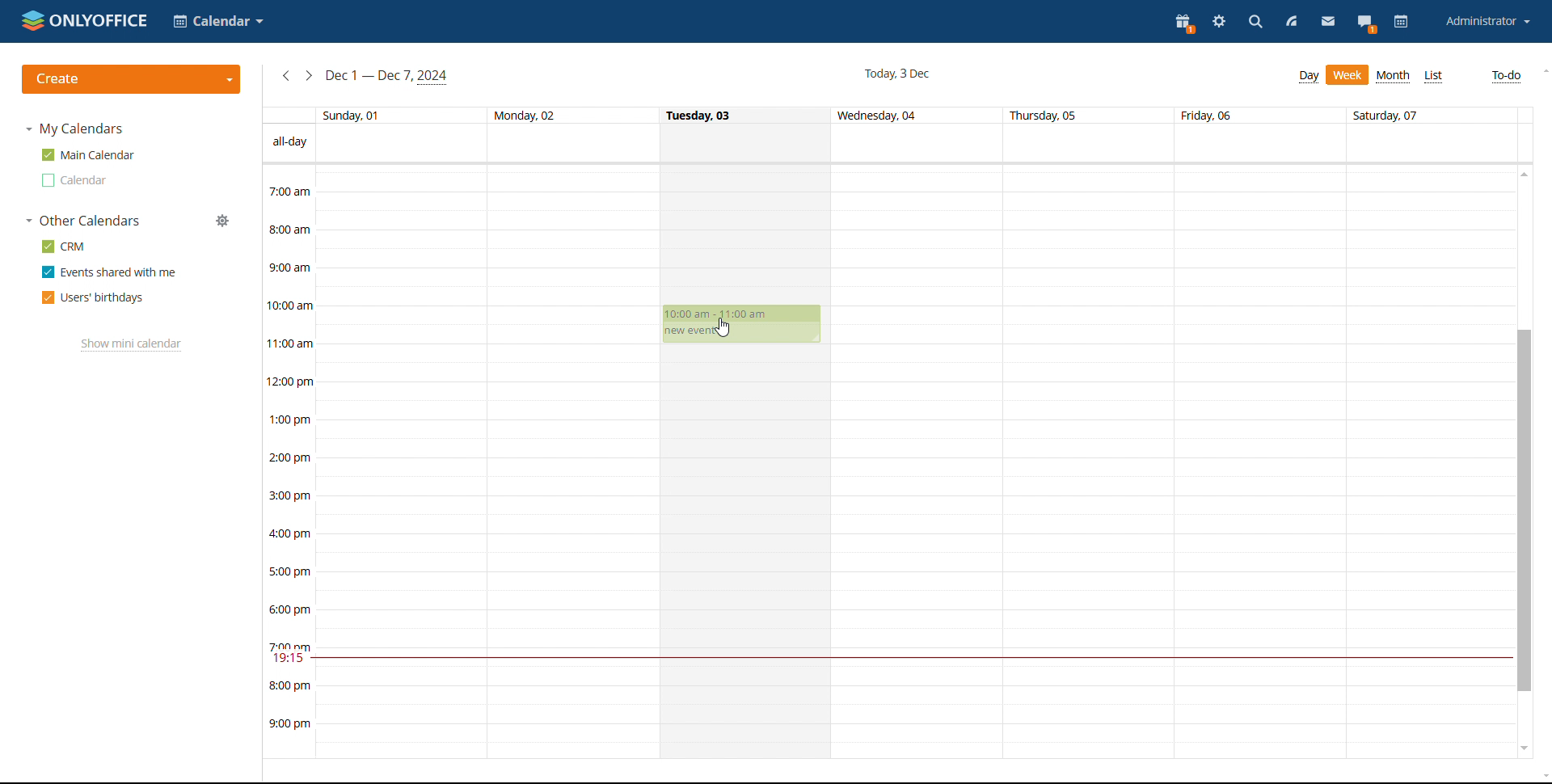 This screenshot has width=1552, height=784. I want to click on 8:00 pm, so click(290, 685).